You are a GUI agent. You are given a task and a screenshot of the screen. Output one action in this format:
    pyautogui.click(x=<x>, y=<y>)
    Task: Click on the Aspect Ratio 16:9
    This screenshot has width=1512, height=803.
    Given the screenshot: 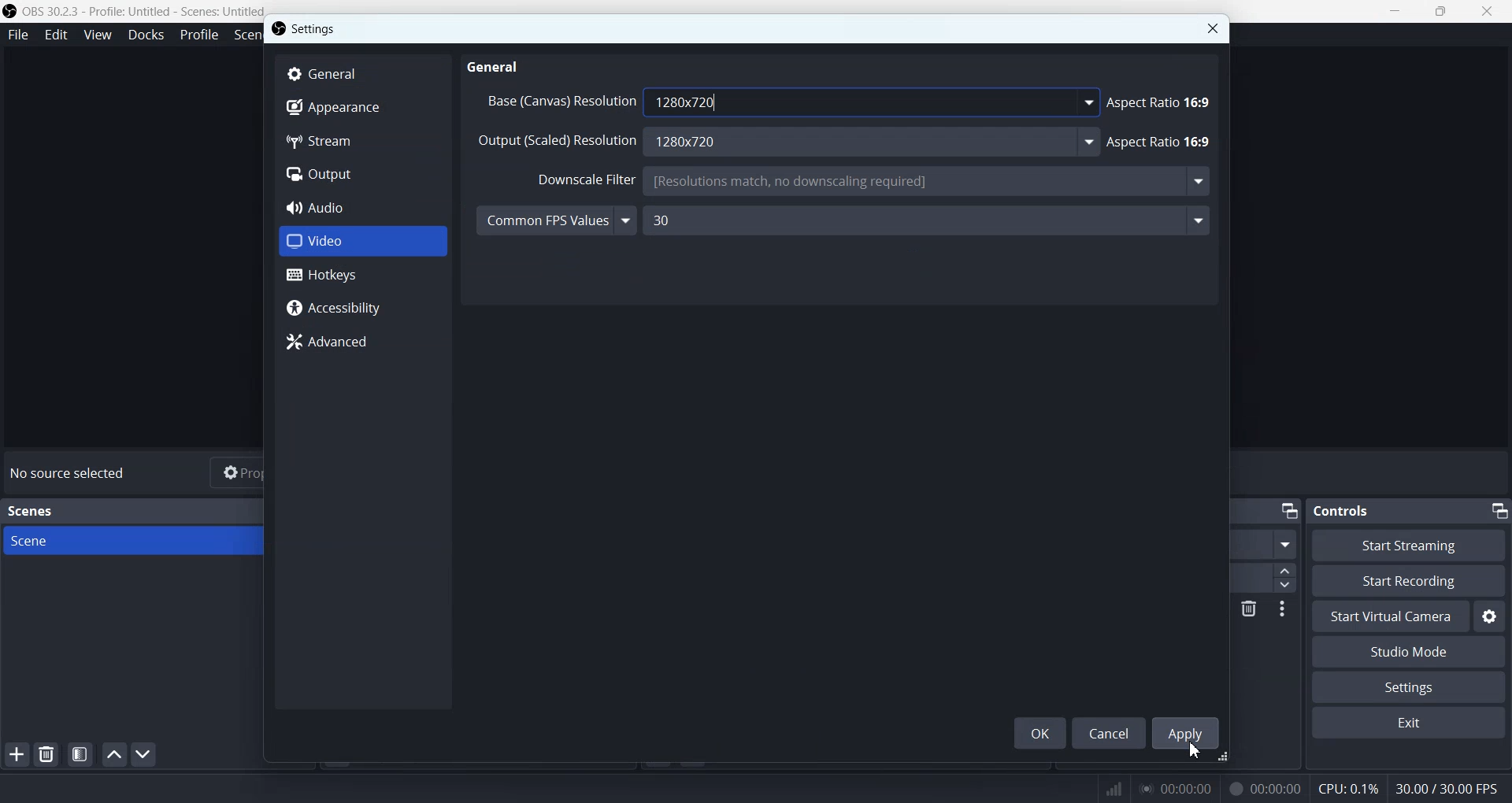 What is the action you would take?
    pyautogui.click(x=1161, y=103)
    